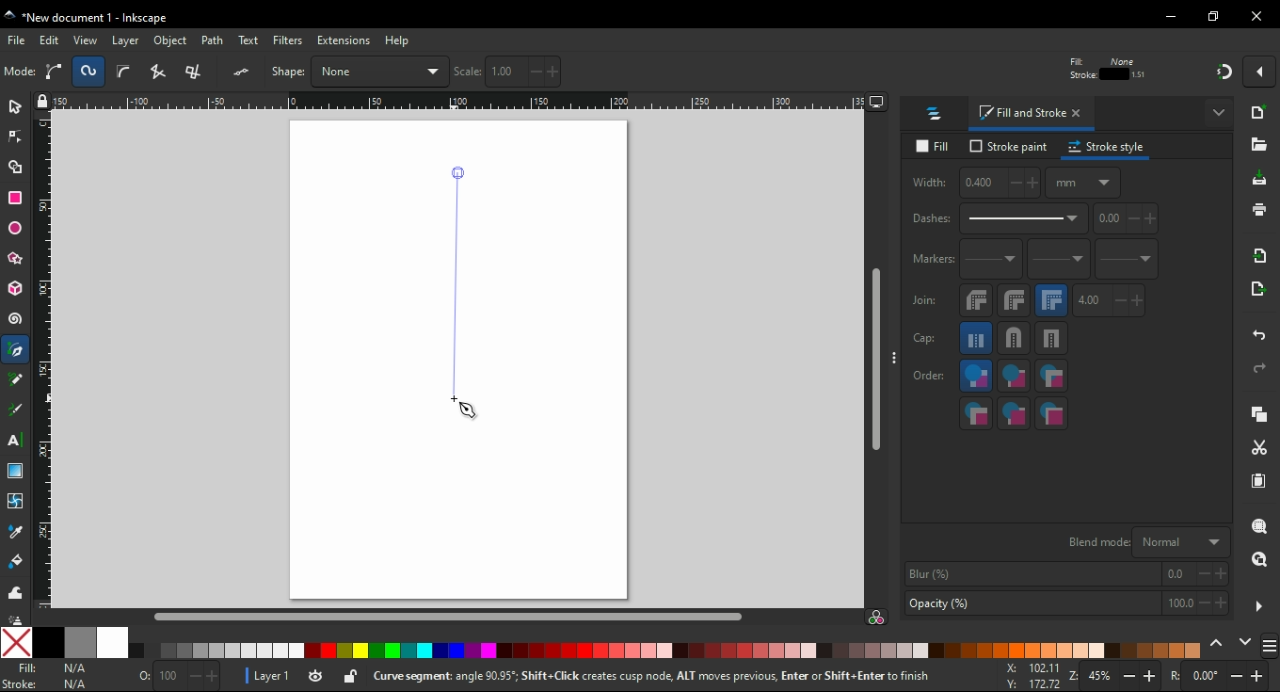  Describe the element at coordinates (875, 650) in the screenshot. I see `color tone pallete` at that location.